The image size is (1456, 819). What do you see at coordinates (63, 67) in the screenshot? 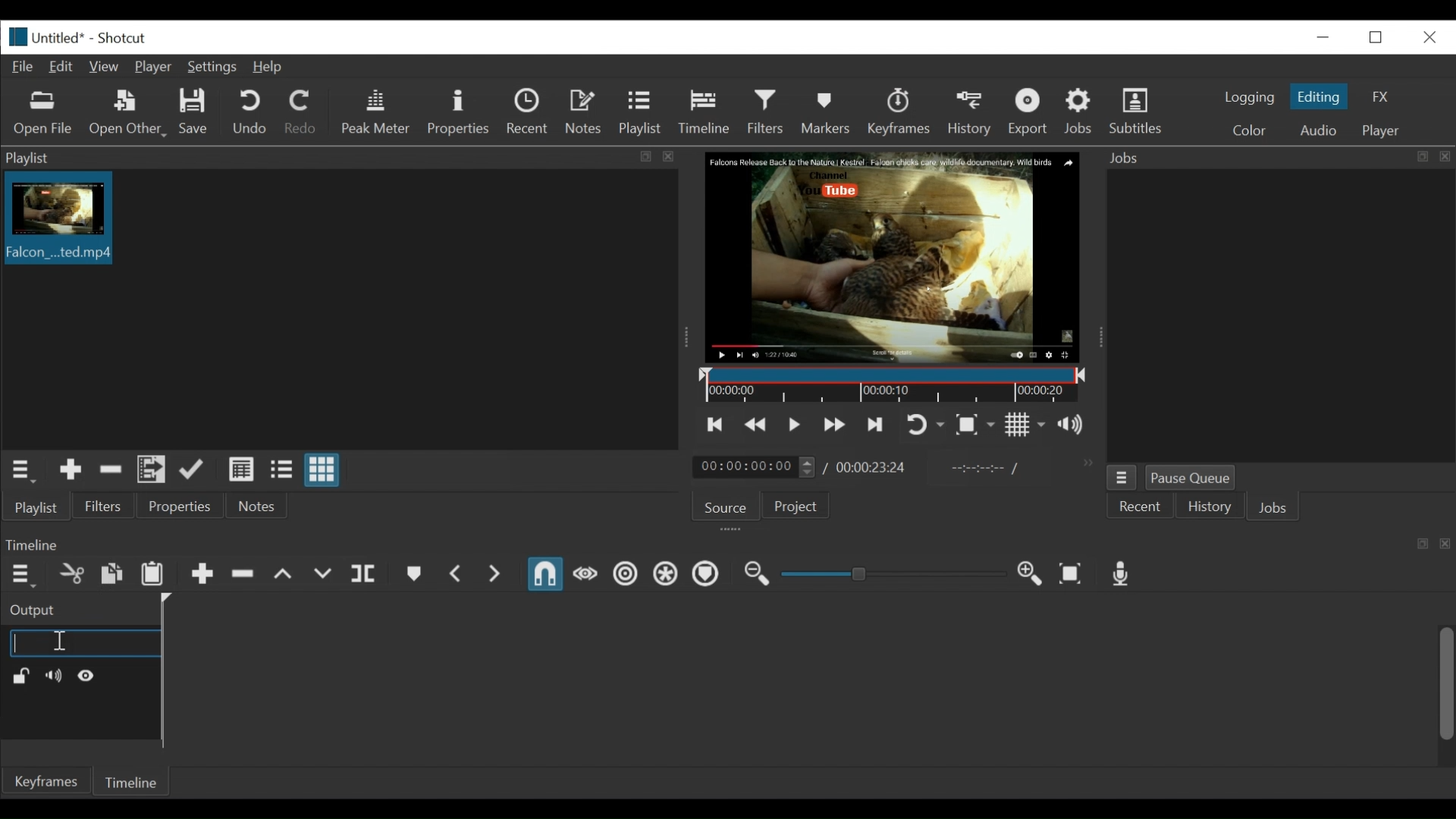
I see `Edit` at bounding box center [63, 67].